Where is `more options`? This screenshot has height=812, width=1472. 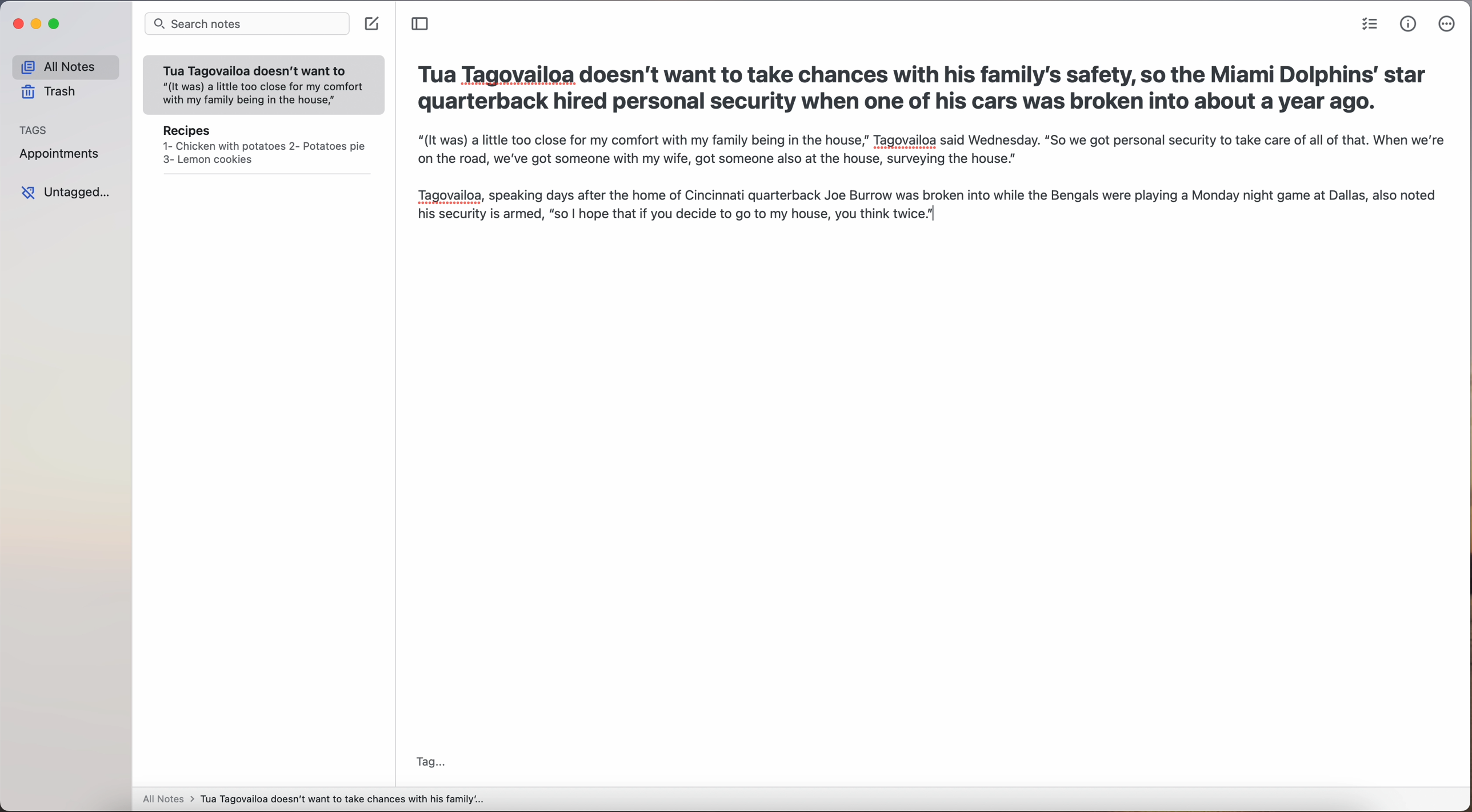
more options is located at coordinates (1447, 24).